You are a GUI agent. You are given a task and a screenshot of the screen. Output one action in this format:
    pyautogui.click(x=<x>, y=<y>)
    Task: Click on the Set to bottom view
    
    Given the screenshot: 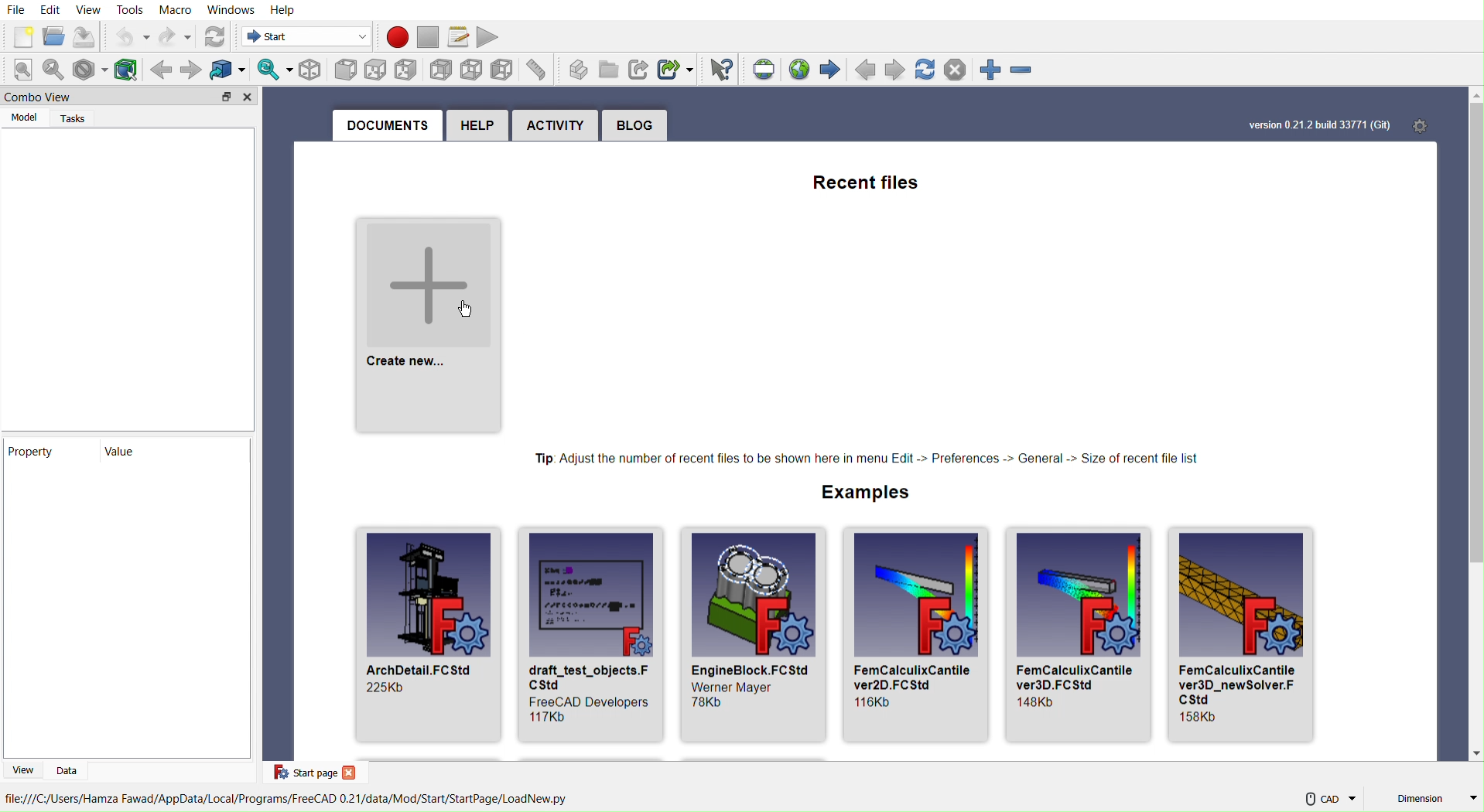 What is the action you would take?
    pyautogui.click(x=470, y=70)
    